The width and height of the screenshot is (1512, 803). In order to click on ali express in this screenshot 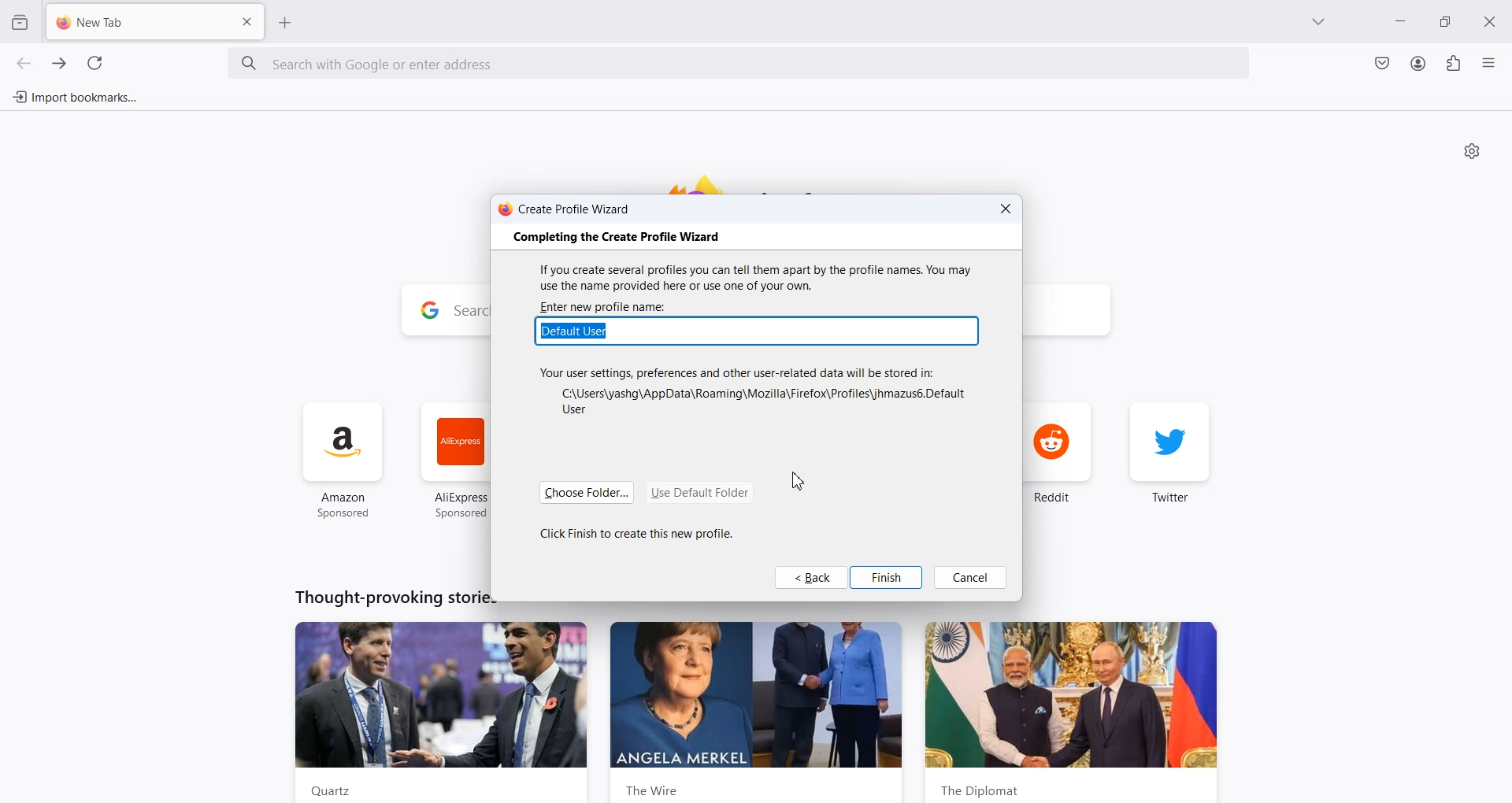, I will do `click(457, 458)`.